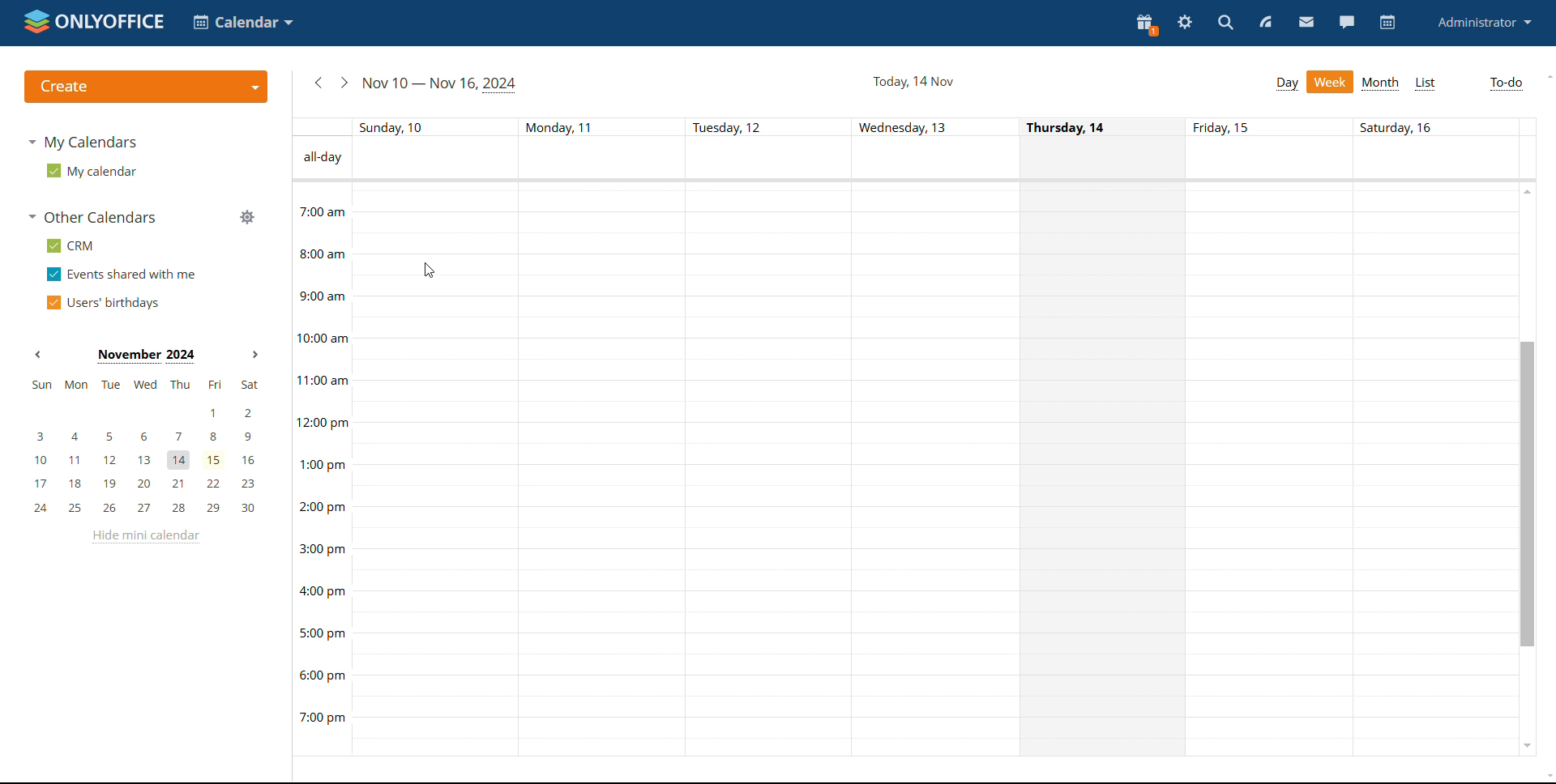 The height and width of the screenshot is (784, 1556). What do you see at coordinates (436, 264) in the screenshot?
I see `30 min time block of a day` at bounding box center [436, 264].